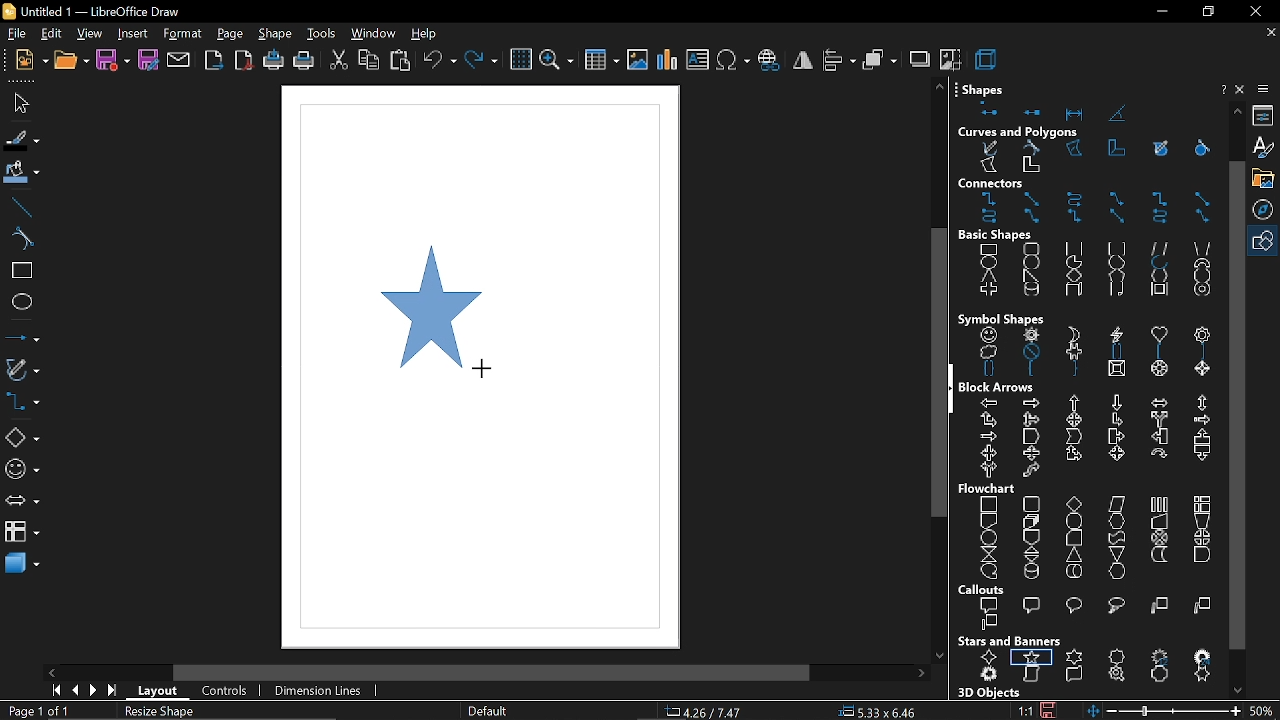 The image size is (1280, 720). Describe the element at coordinates (1255, 11) in the screenshot. I see `close` at that location.